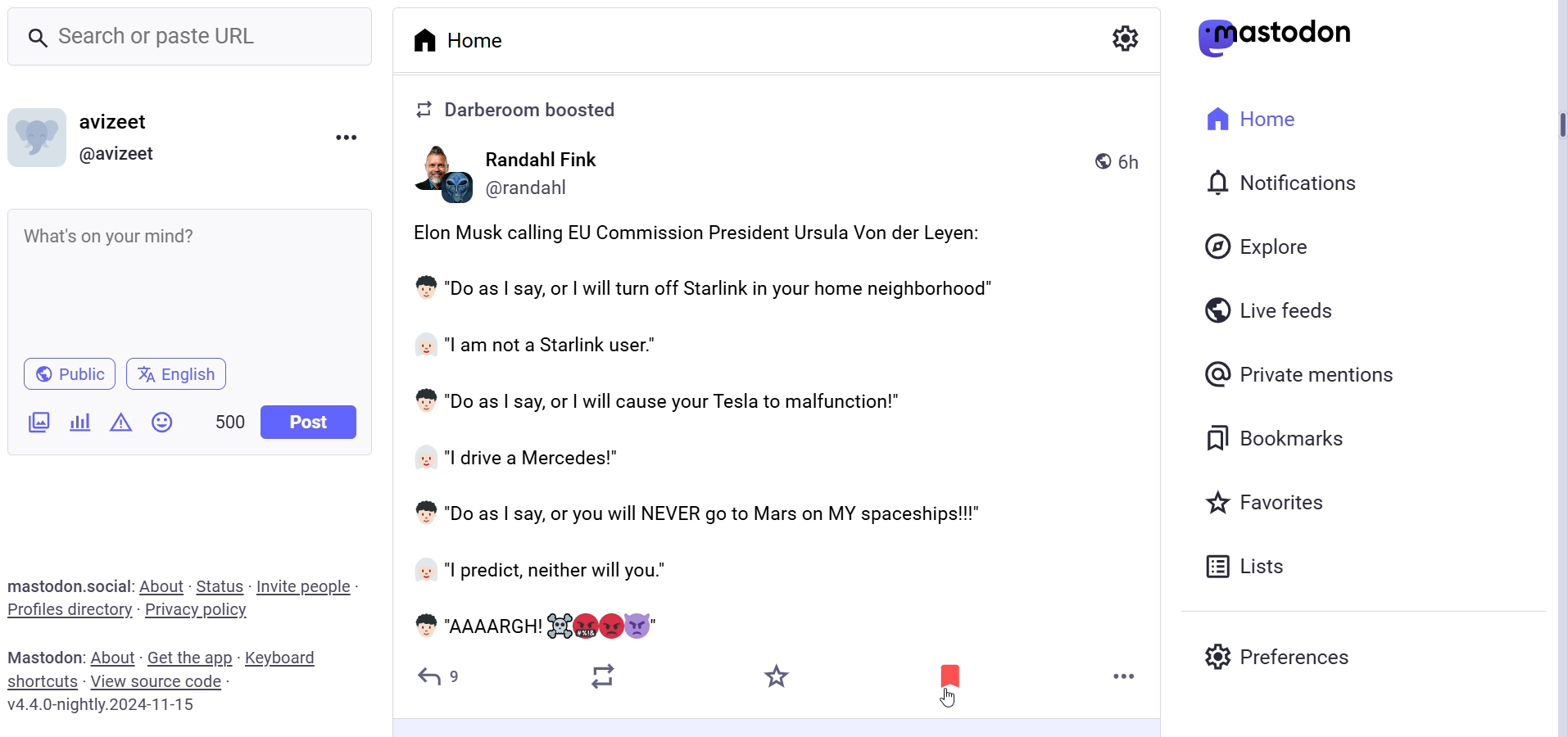 The height and width of the screenshot is (737, 1568). I want to click on Starred or Favorites, so click(780, 676).